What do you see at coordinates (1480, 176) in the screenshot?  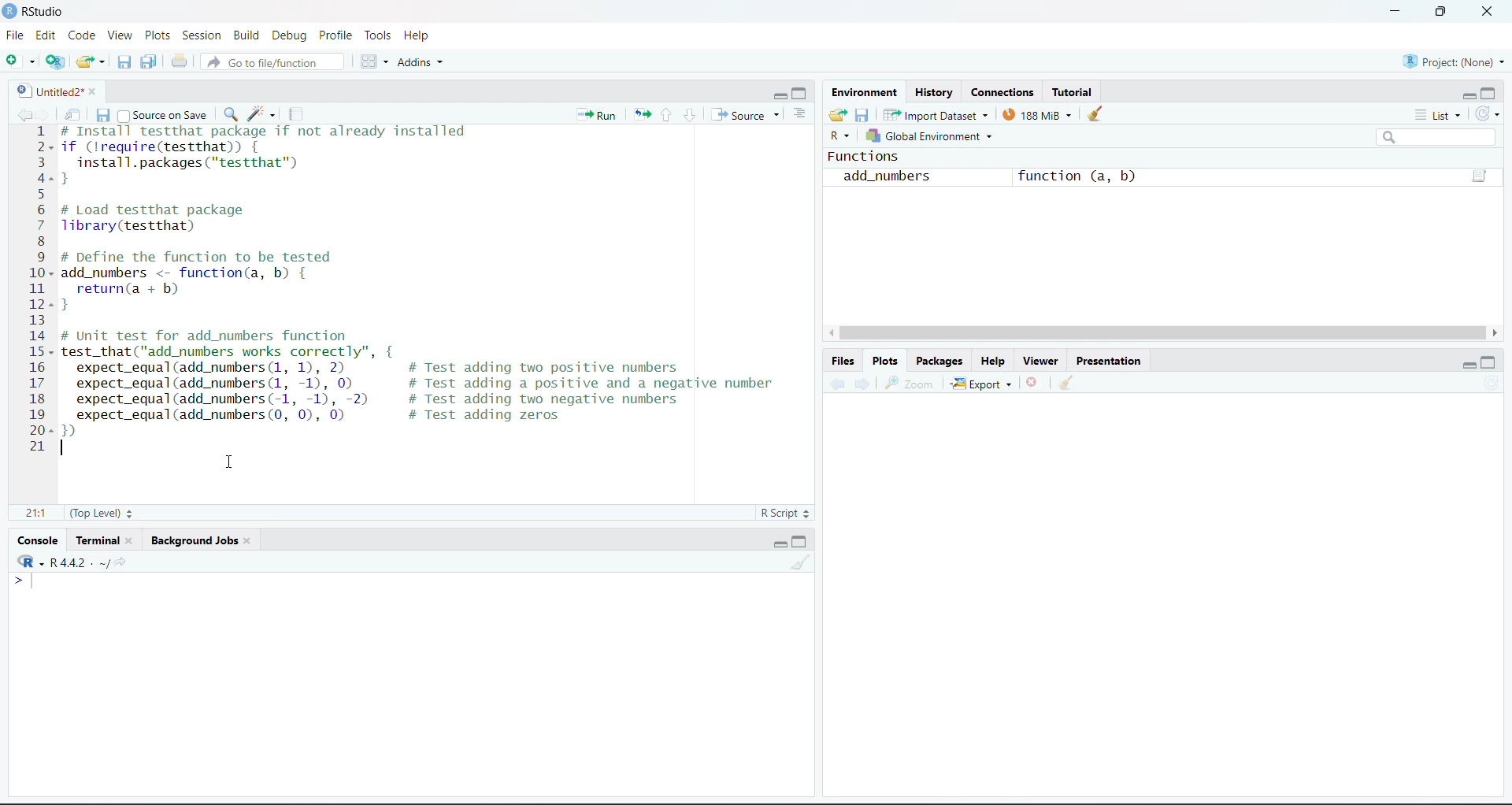 I see `function(a,b)` at bounding box center [1480, 176].